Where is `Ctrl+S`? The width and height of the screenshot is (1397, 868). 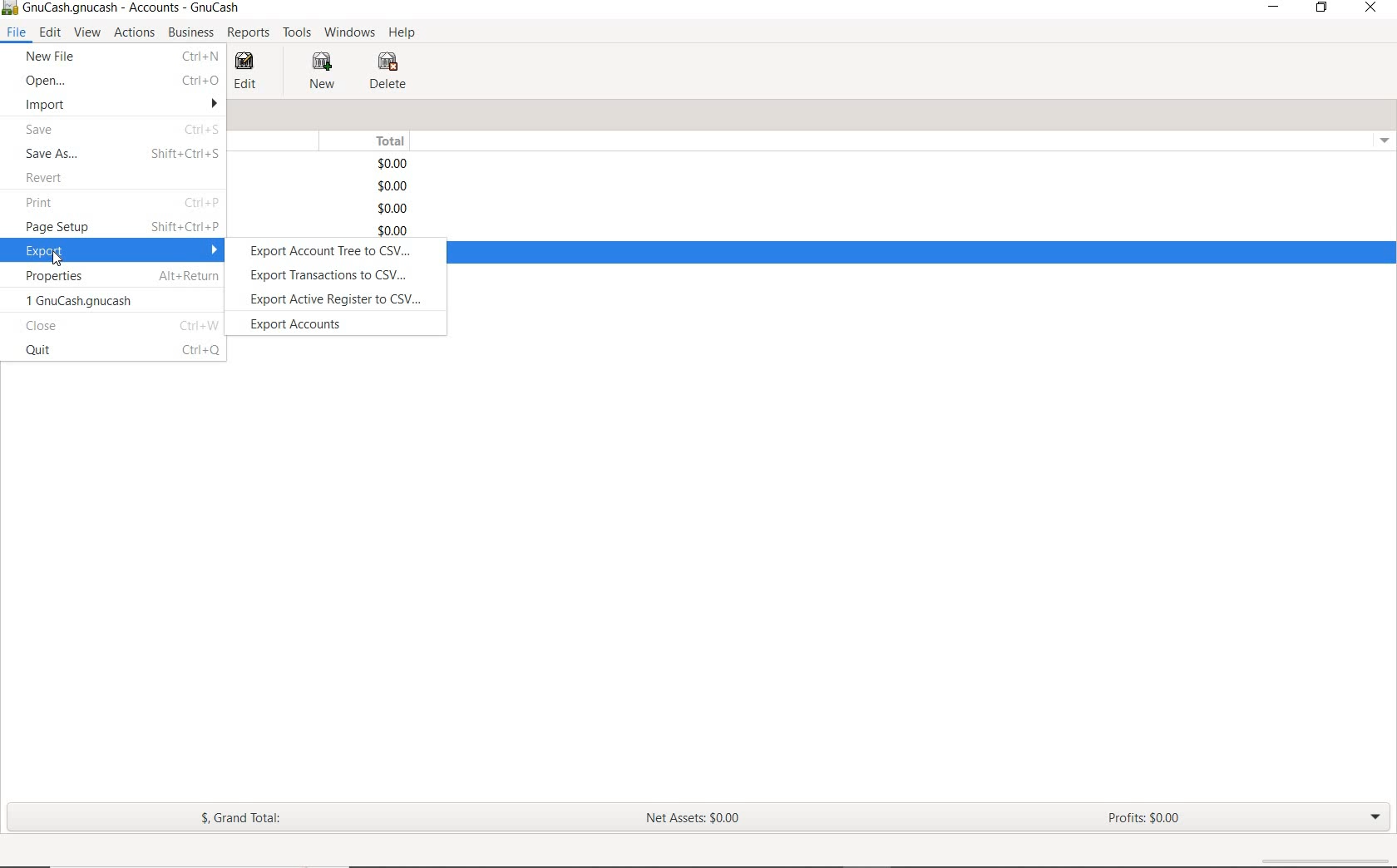
Ctrl+S is located at coordinates (198, 127).